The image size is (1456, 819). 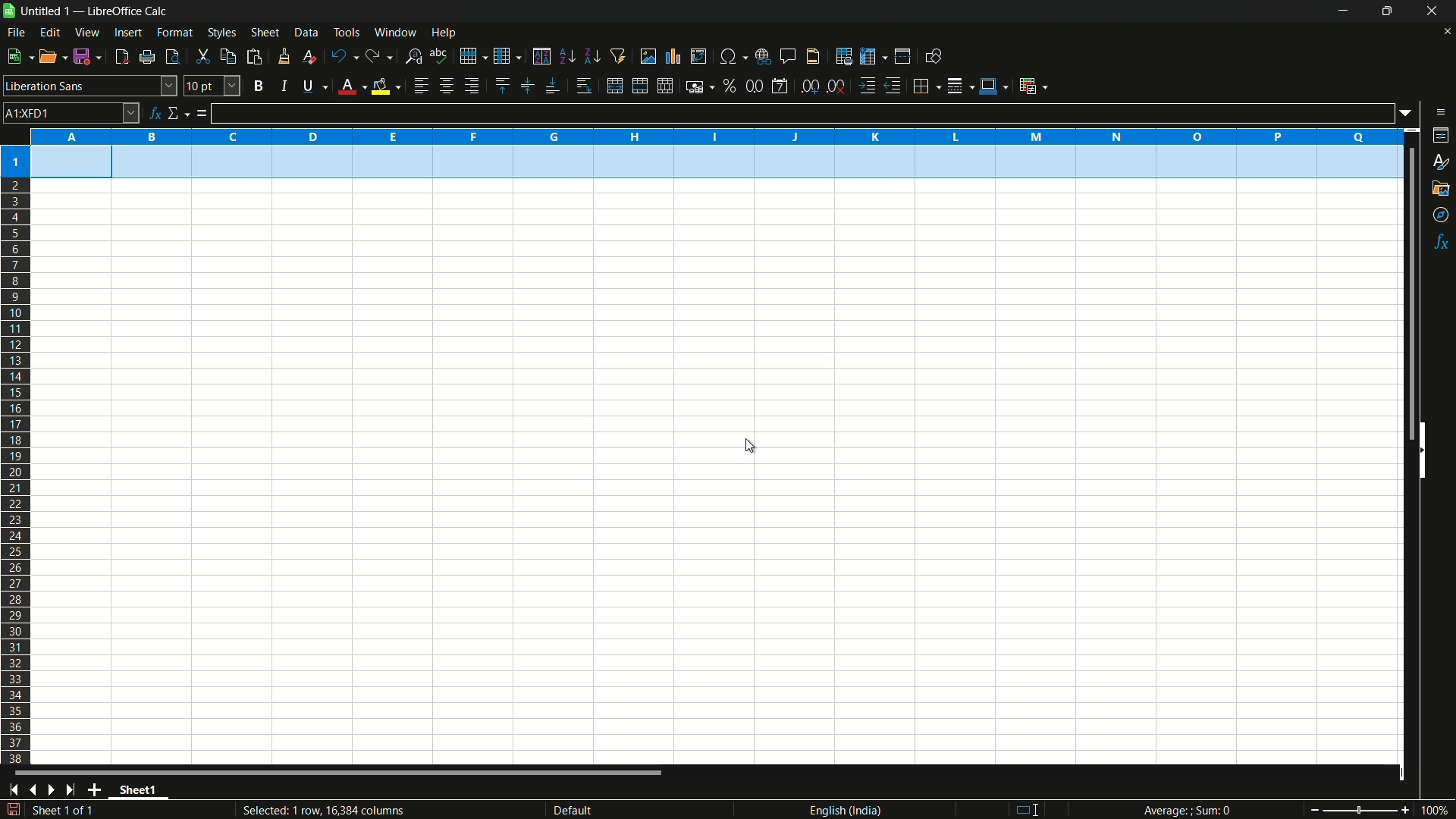 What do you see at coordinates (121, 57) in the screenshot?
I see `export directly as pdf` at bounding box center [121, 57].